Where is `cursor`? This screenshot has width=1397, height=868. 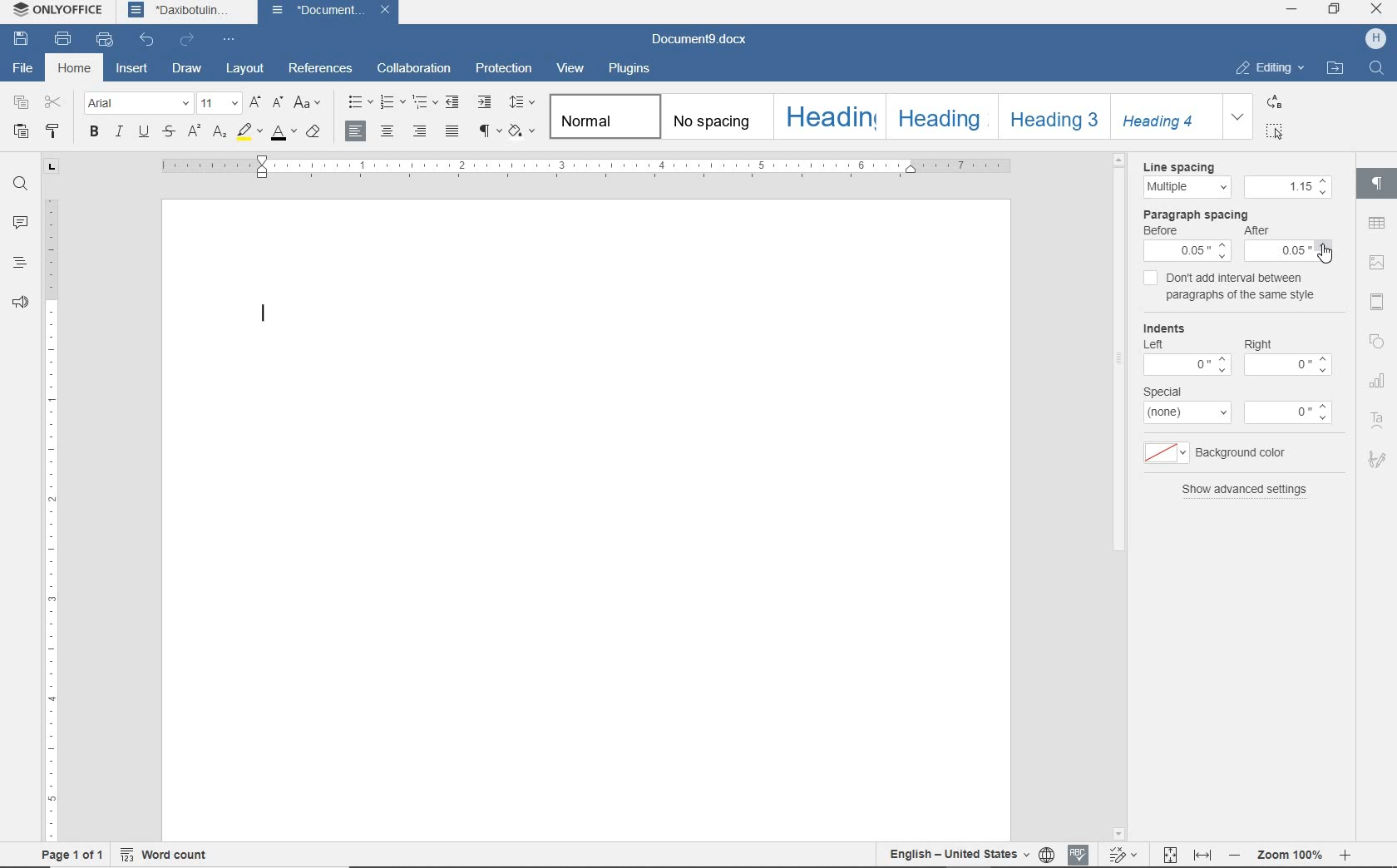
cursor is located at coordinates (1324, 252).